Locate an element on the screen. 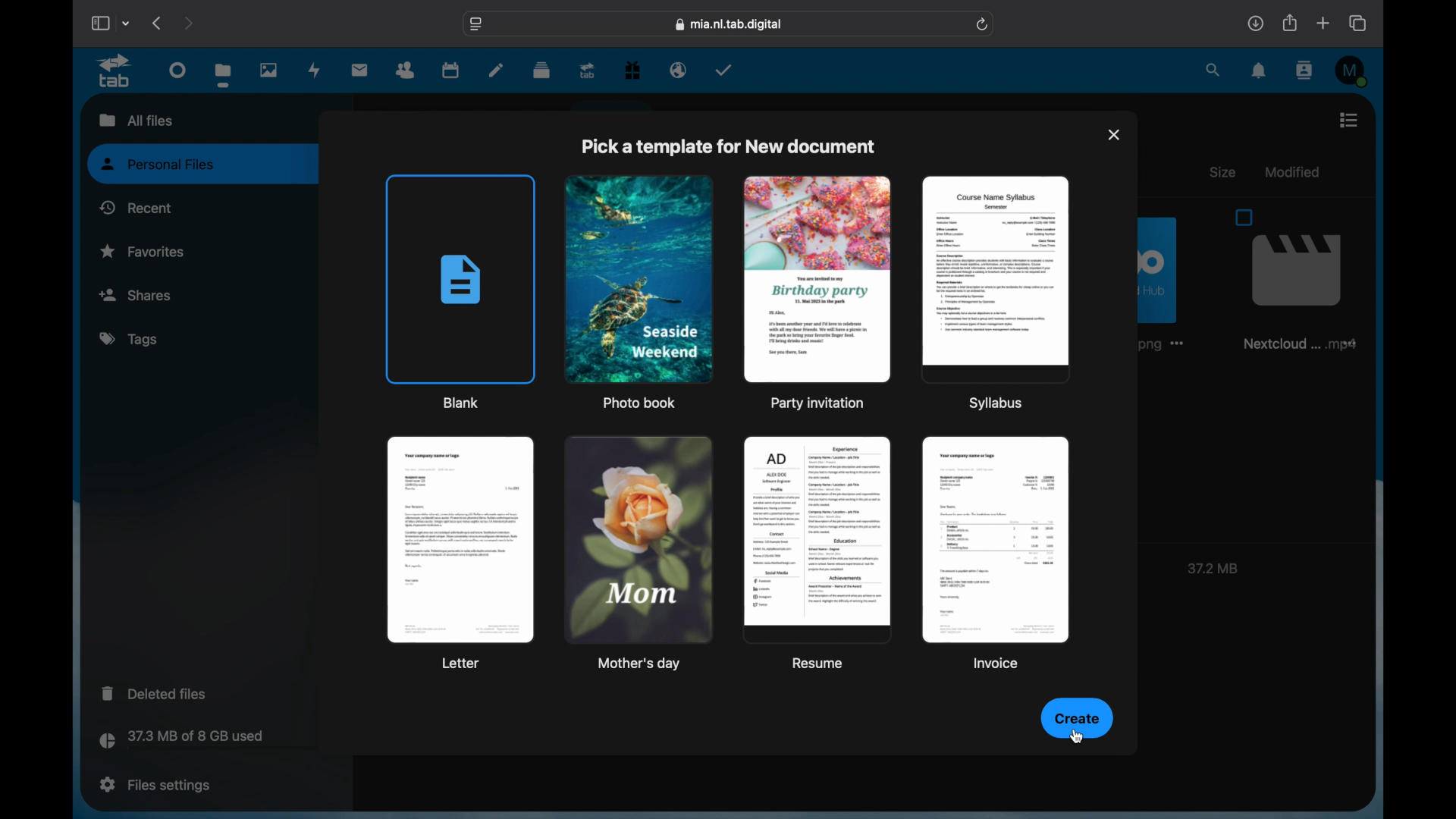  show sidebar is located at coordinates (99, 23).